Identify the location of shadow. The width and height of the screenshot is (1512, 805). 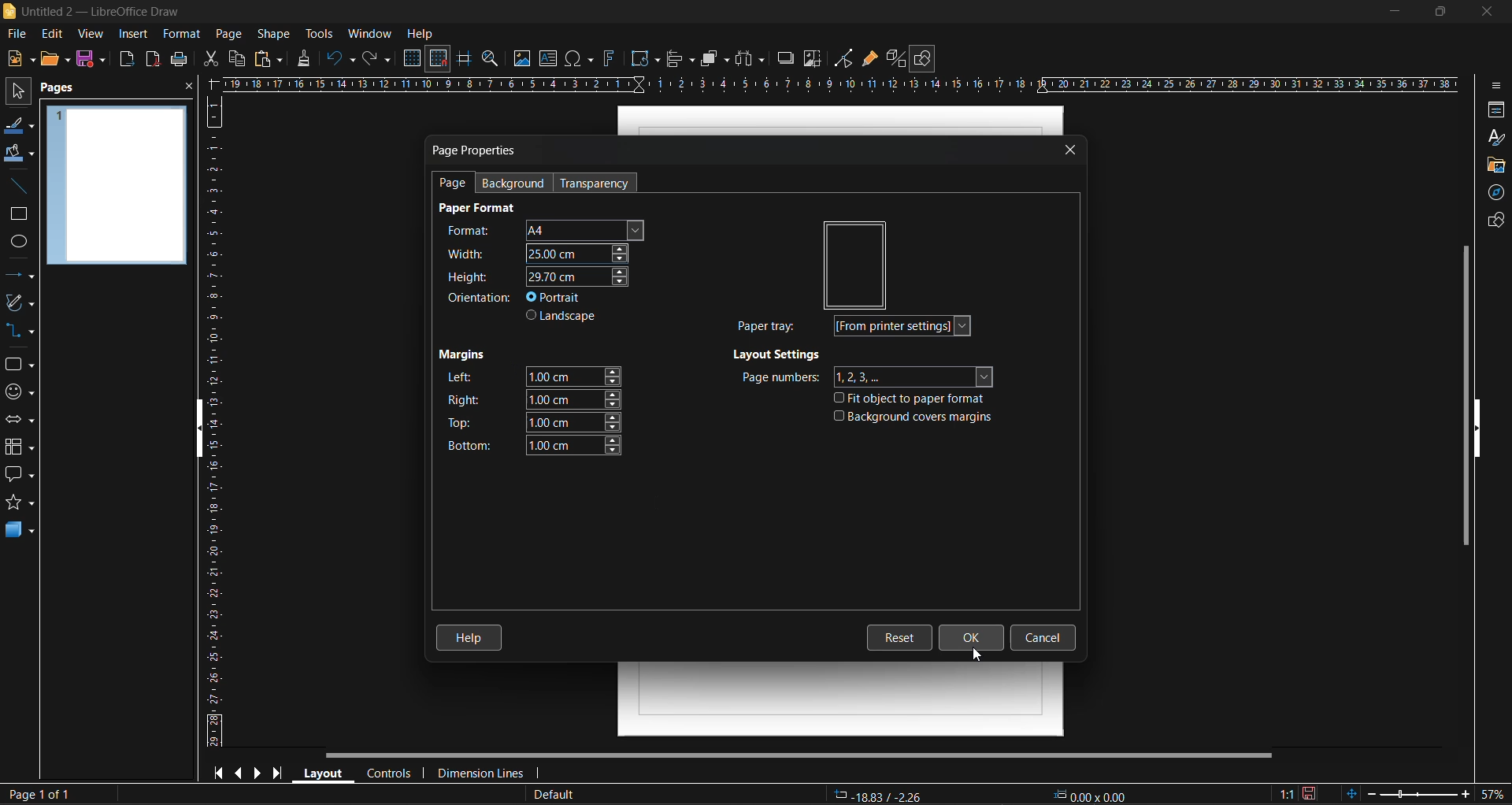
(788, 57).